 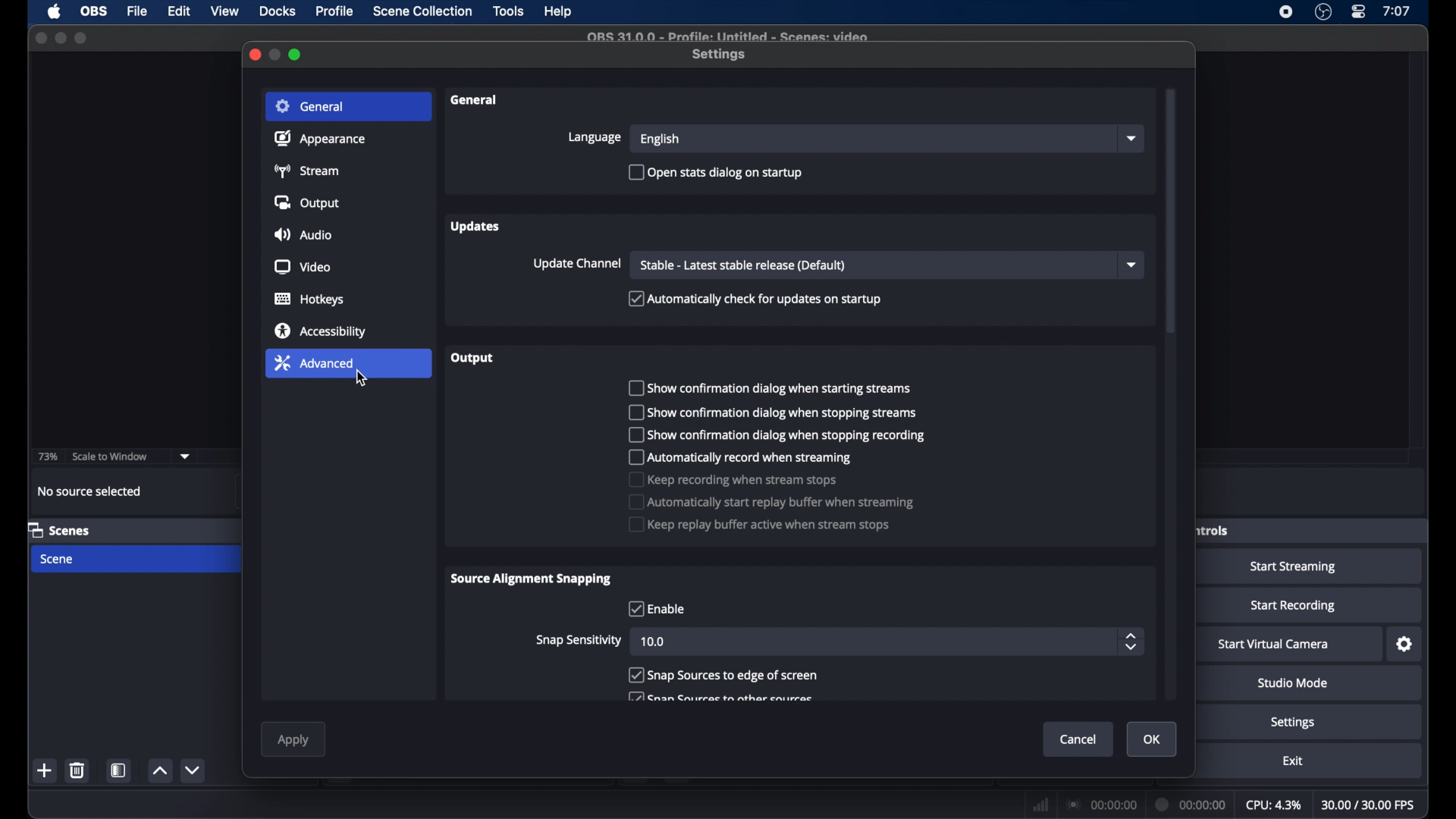 I want to click on cancel, so click(x=1079, y=739).